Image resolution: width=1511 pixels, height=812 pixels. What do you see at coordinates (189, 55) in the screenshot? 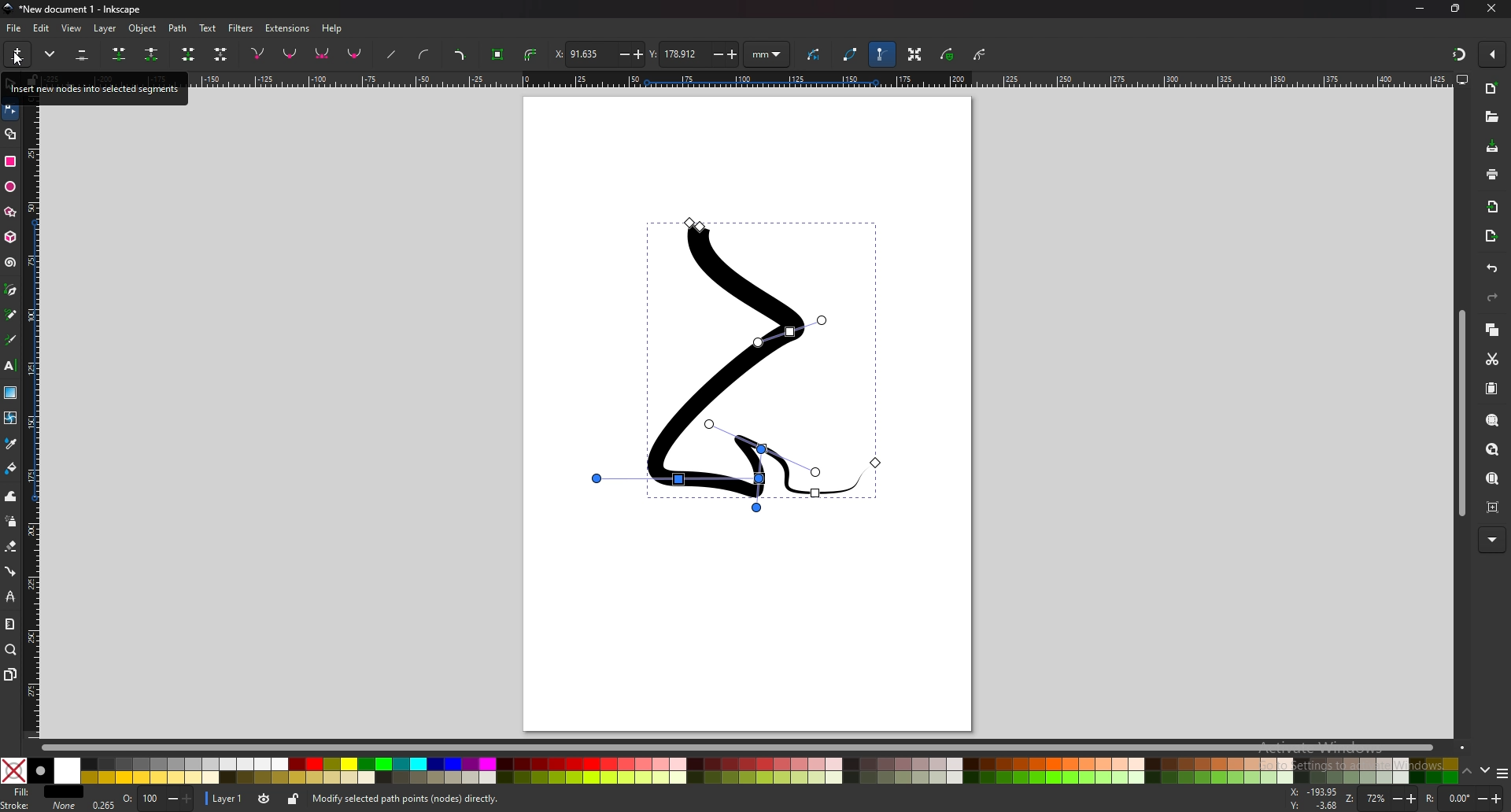
I see `join endnotes with new segment` at bounding box center [189, 55].